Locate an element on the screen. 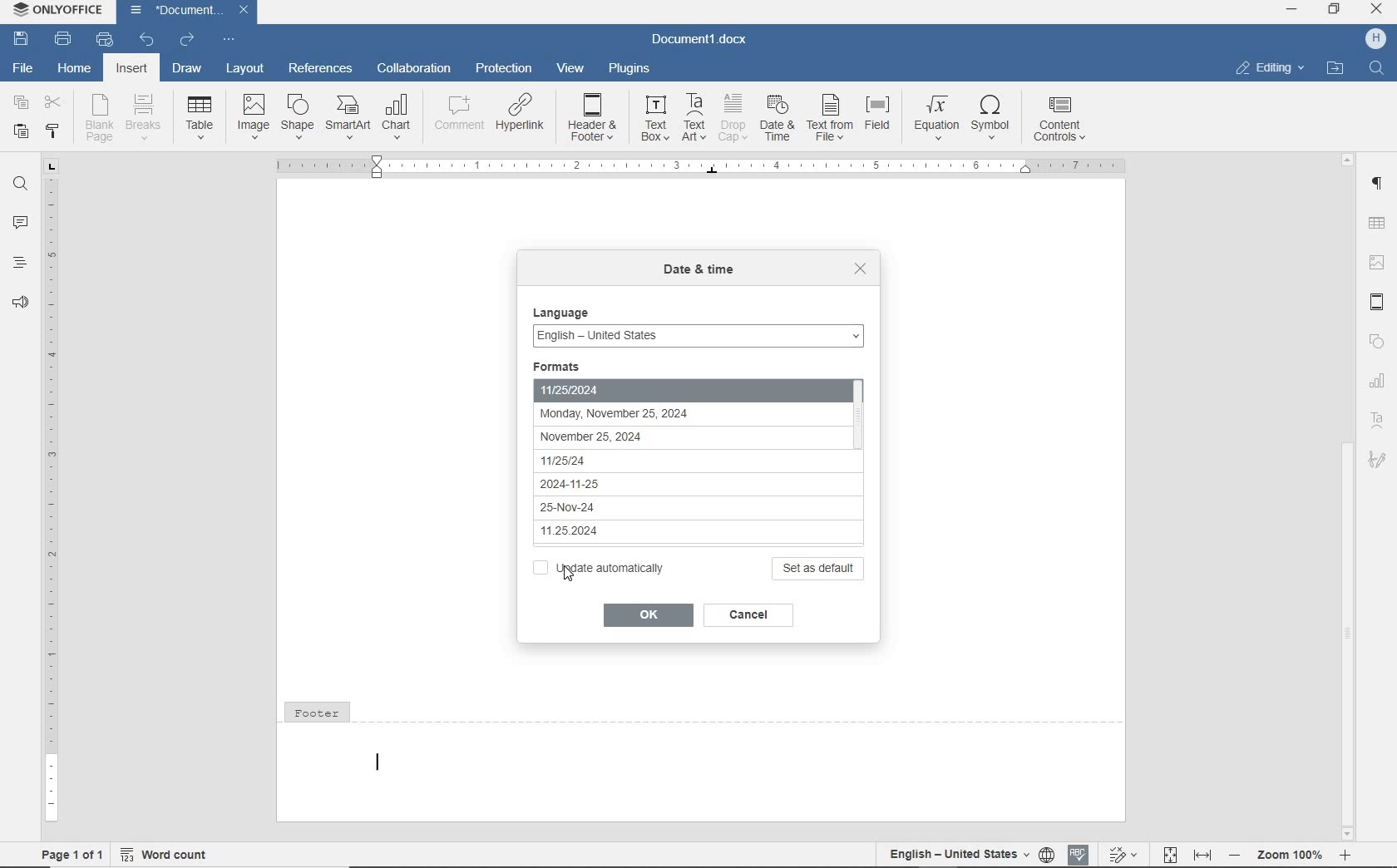 This screenshot has width=1397, height=868. username is located at coordinates (1376, 39).